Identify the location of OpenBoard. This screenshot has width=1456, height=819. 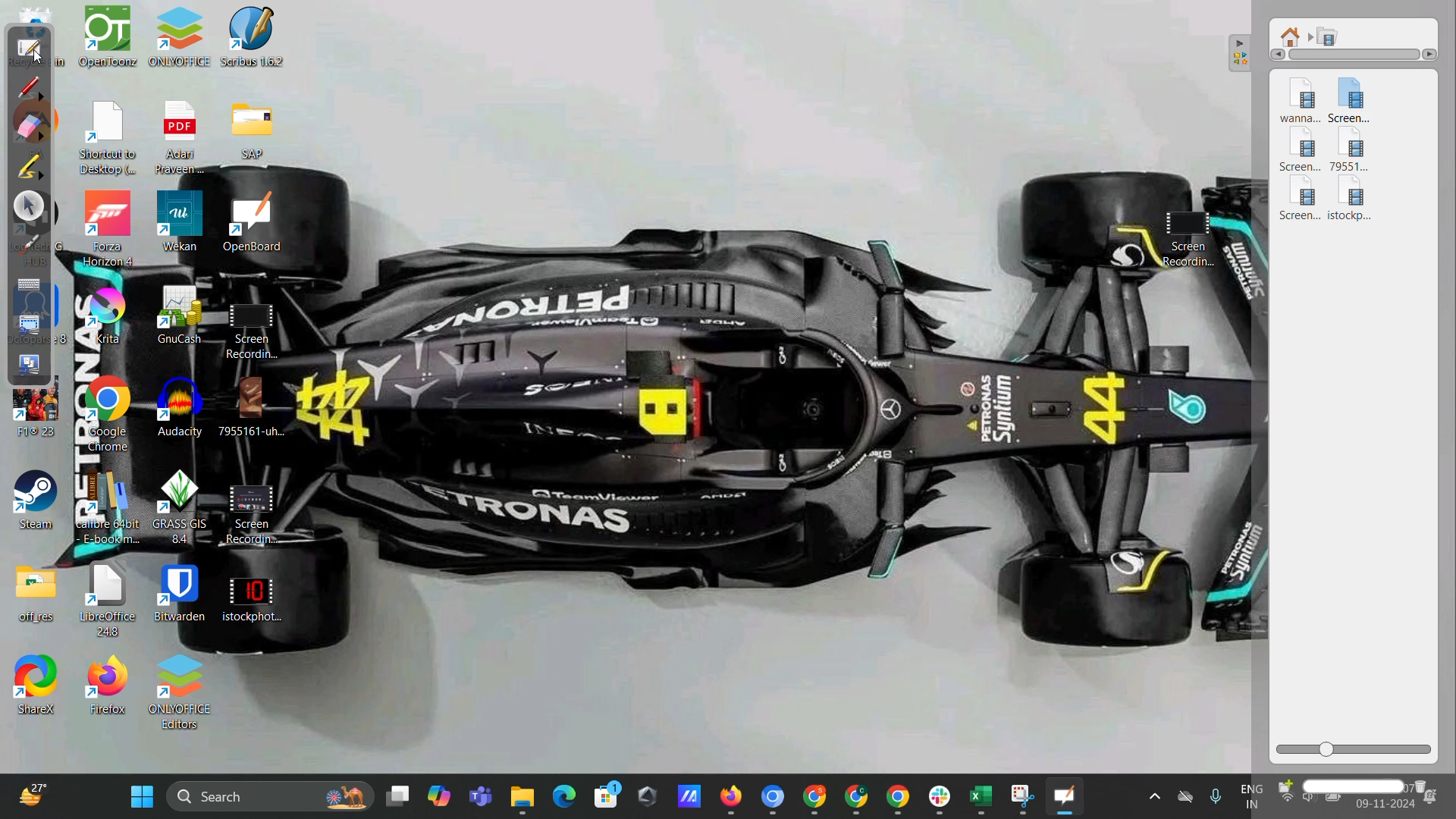
(255, 221).